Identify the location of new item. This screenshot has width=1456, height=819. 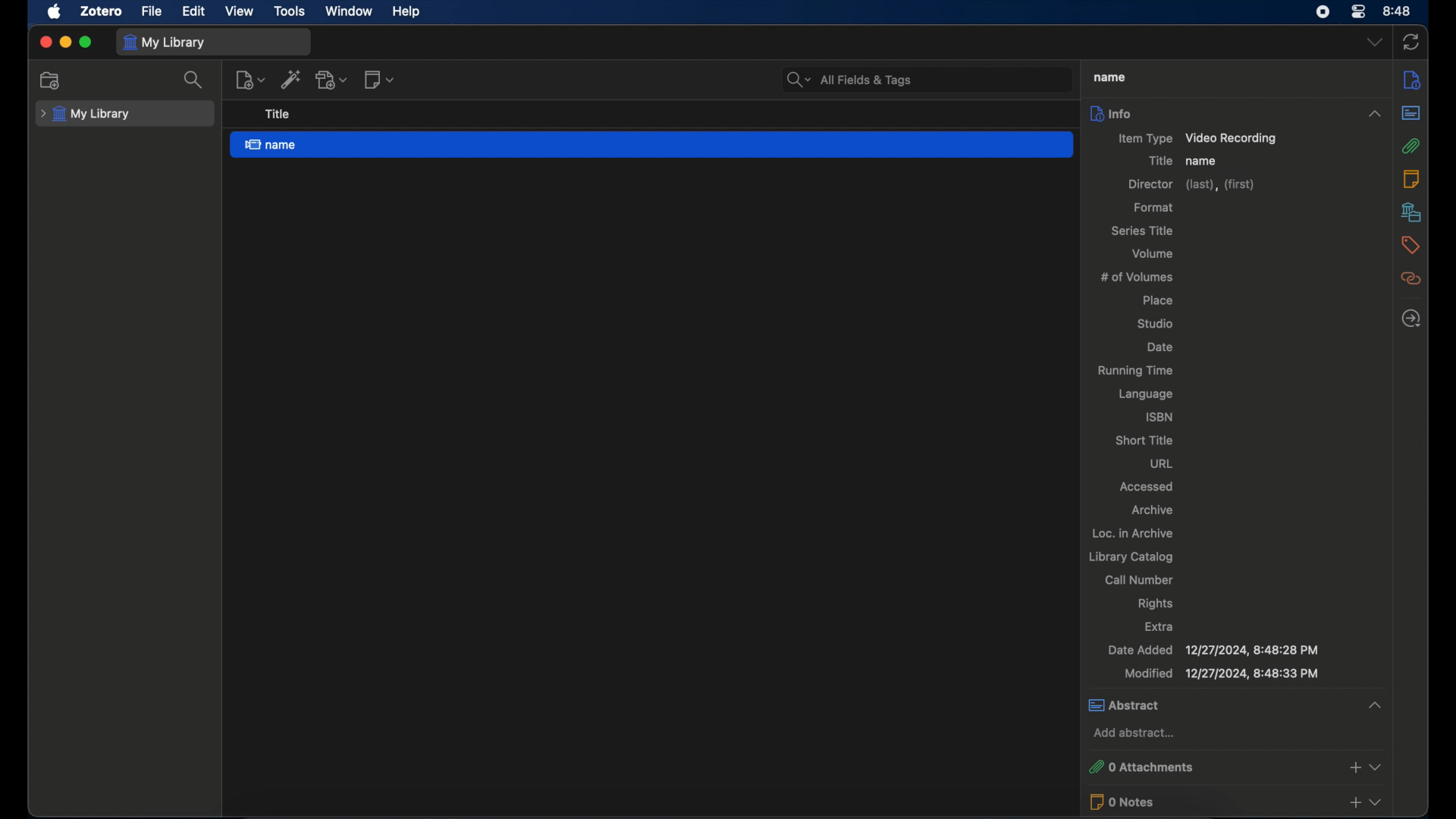
(249, 80).